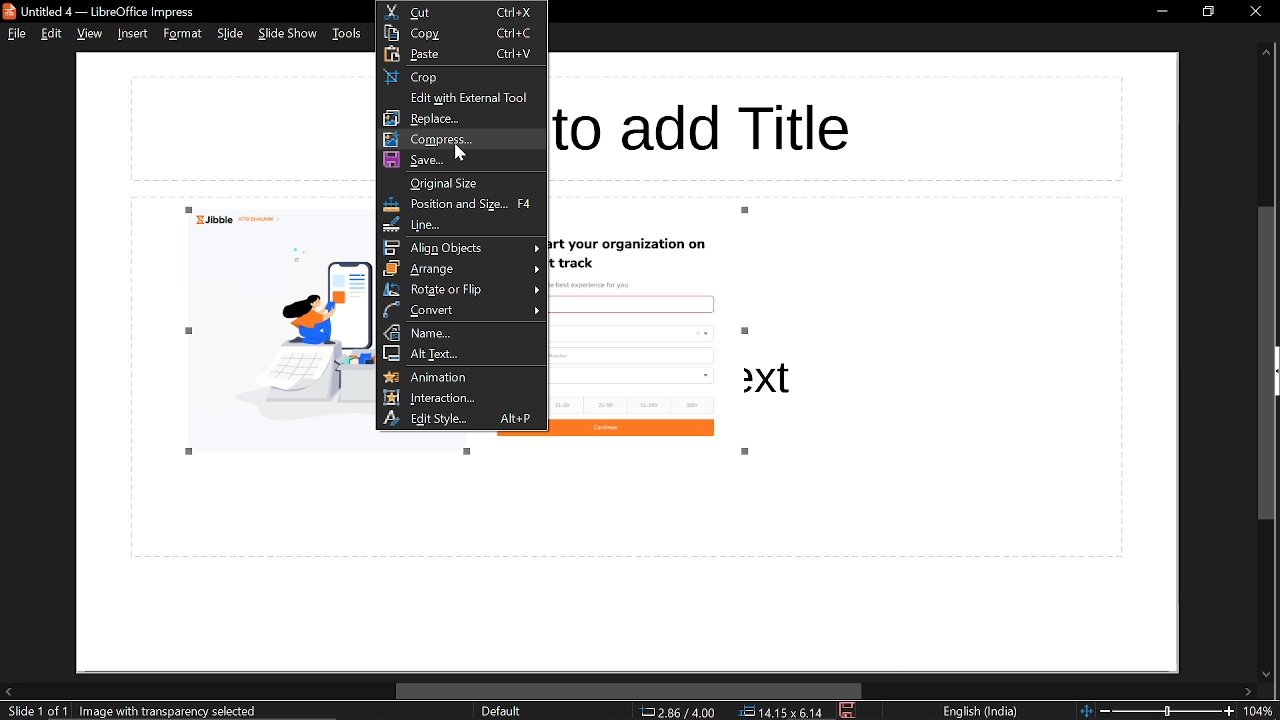  I want to click on view, so click(89, 35).